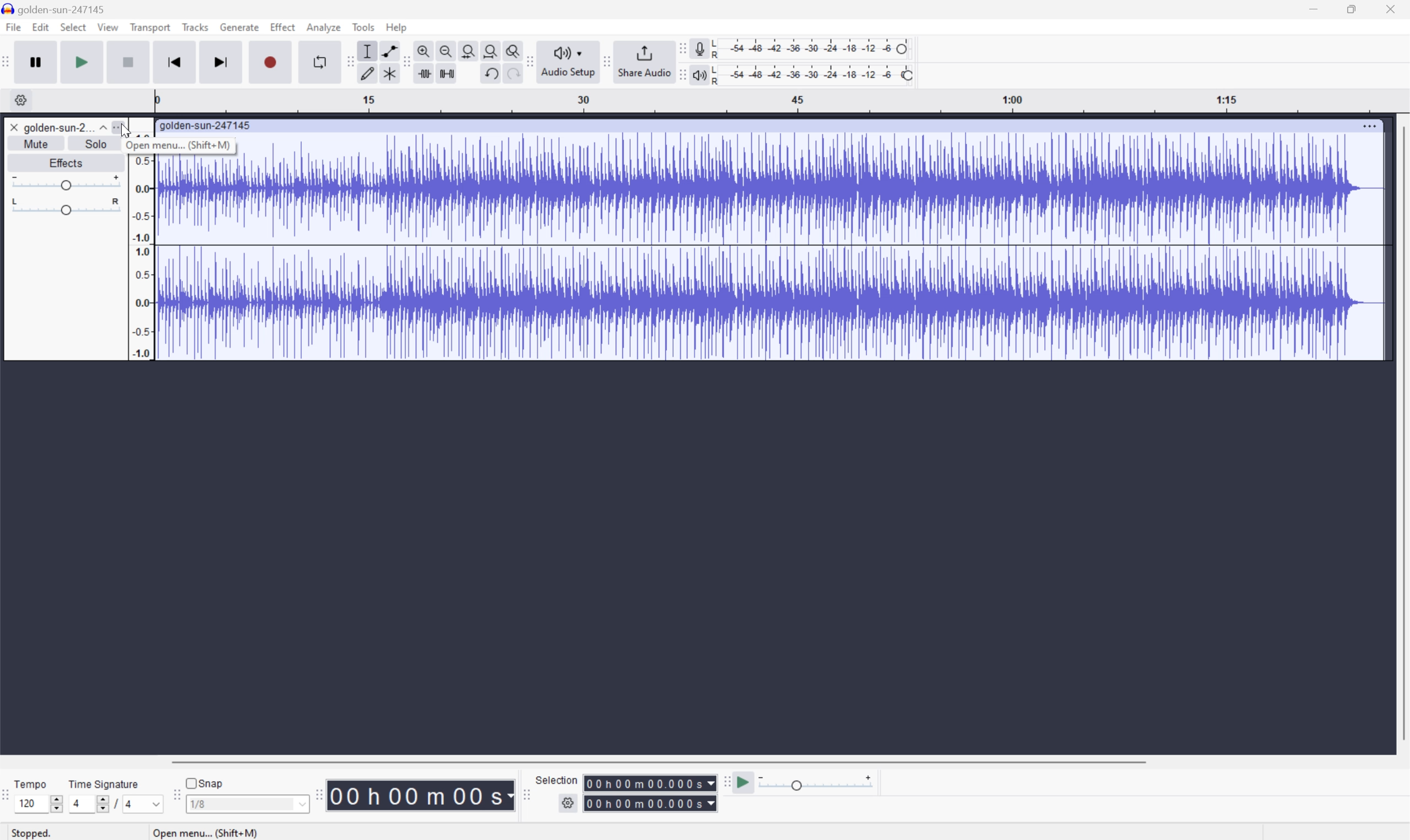 Image resolution: width=1410 pixels, height=840 pixels. Describe the element at coordinates (641, 59) in the screenshot. I see `Share Audio` at that location.